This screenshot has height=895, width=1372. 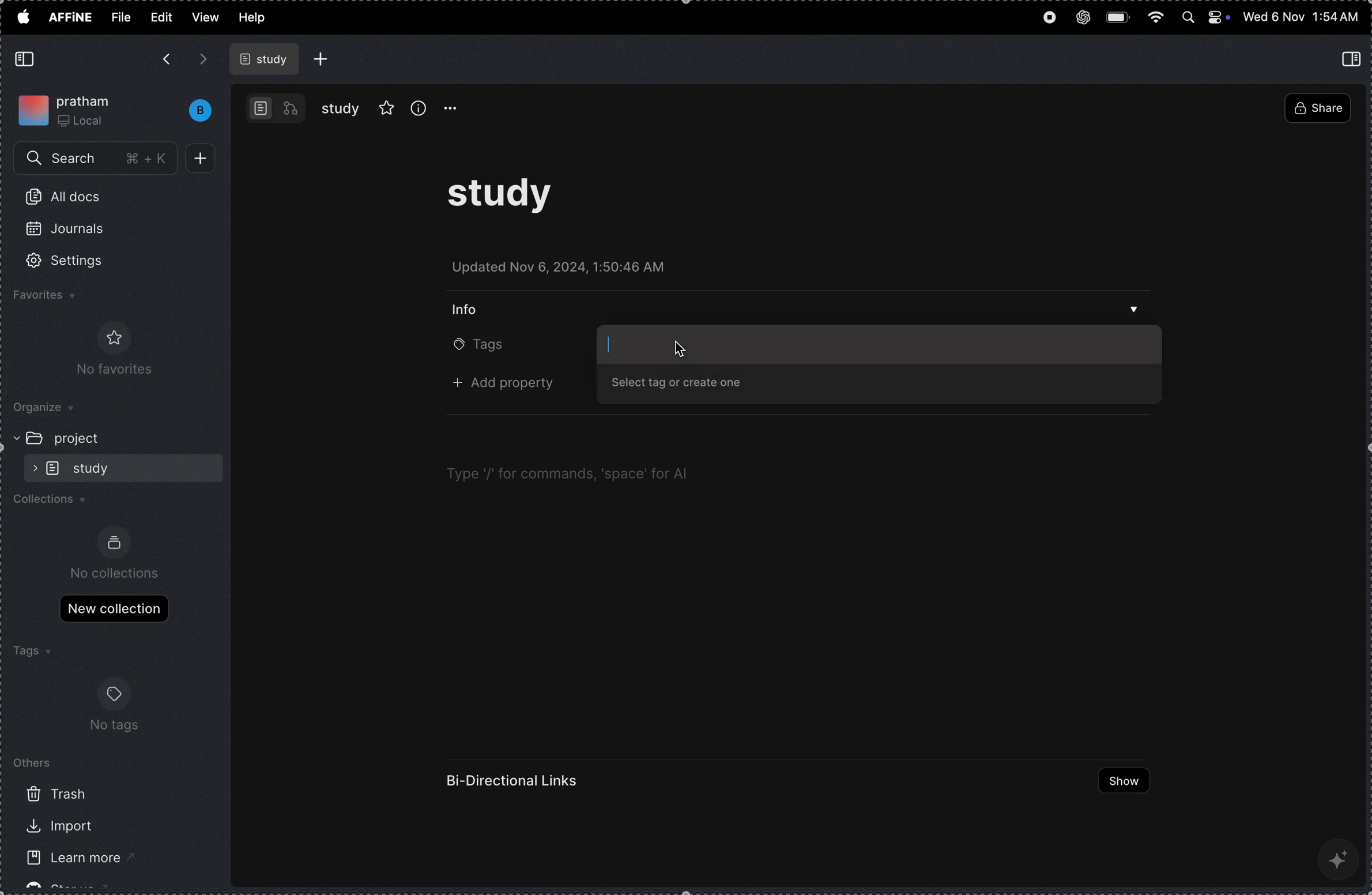 What do you see at coordinates (1083, 14) in the screenshot?
I see `chat gpt` at bounding box center [1083, 14].